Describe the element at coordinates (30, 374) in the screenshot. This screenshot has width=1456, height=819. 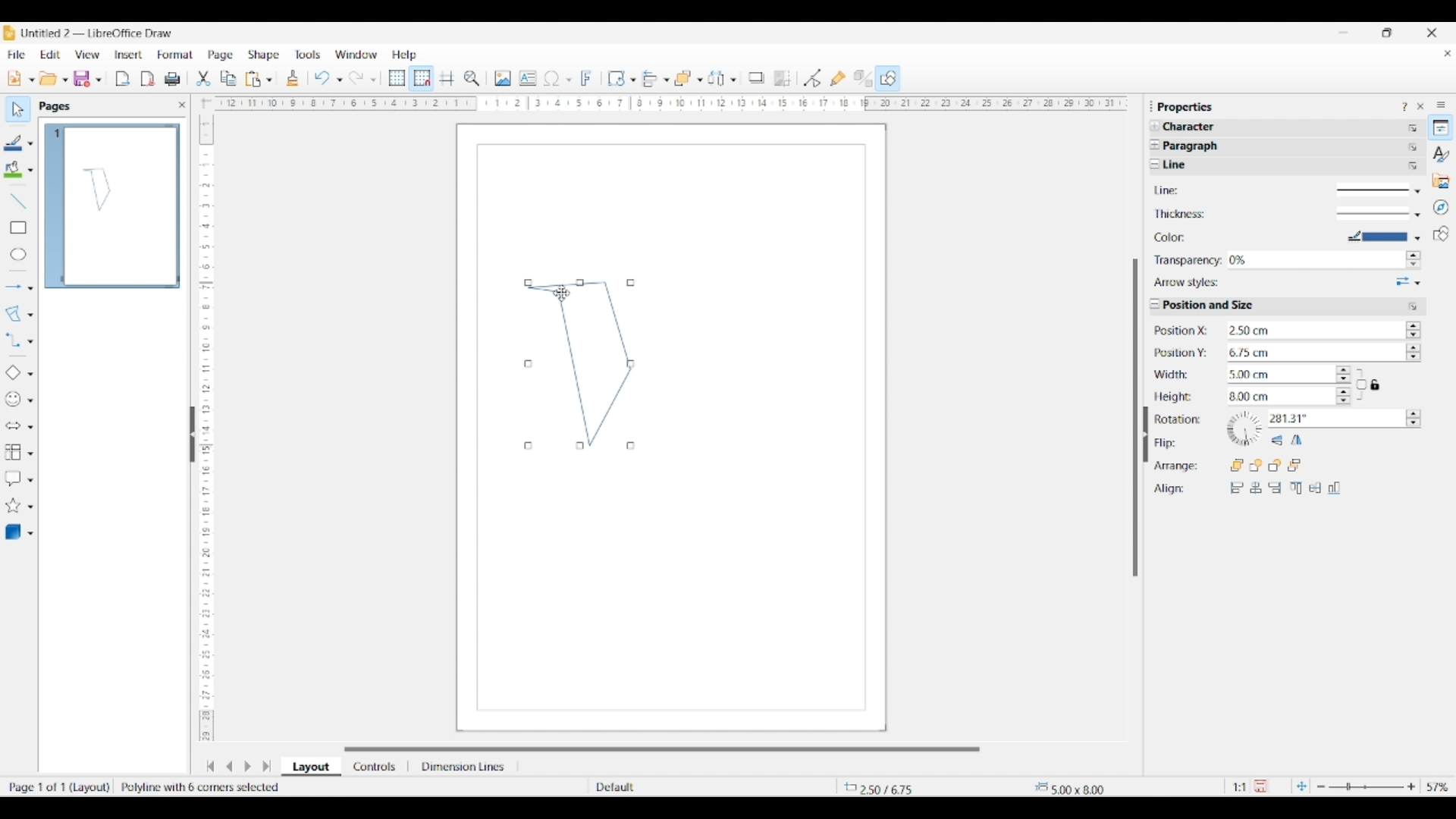
I see `Basic shape options` at that location.